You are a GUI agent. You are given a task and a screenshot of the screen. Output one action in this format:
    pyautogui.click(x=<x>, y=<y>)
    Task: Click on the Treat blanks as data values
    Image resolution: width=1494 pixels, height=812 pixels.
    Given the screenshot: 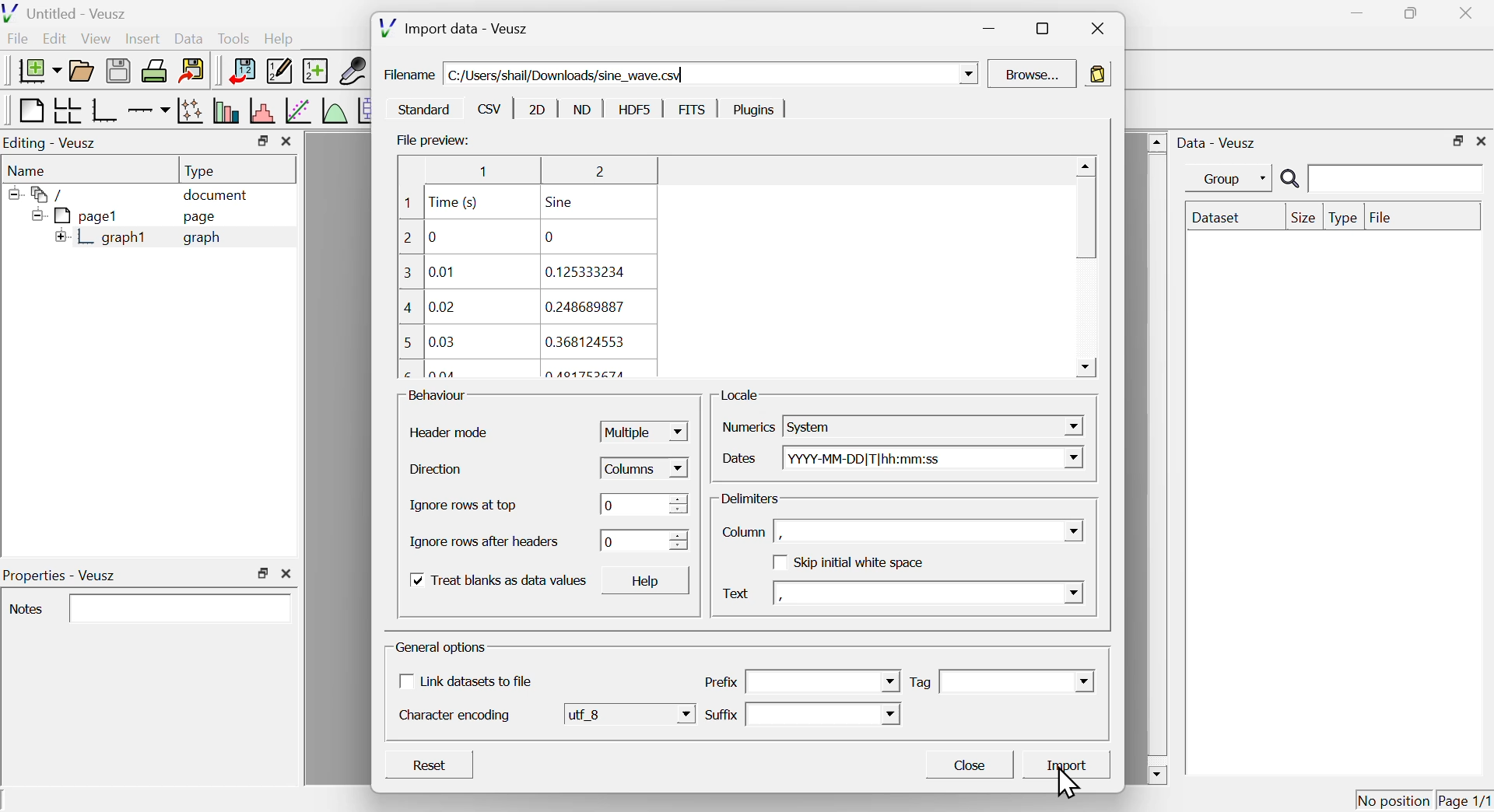 What is the action you would take?
    pyautogui.click(x=513, y=581)
    